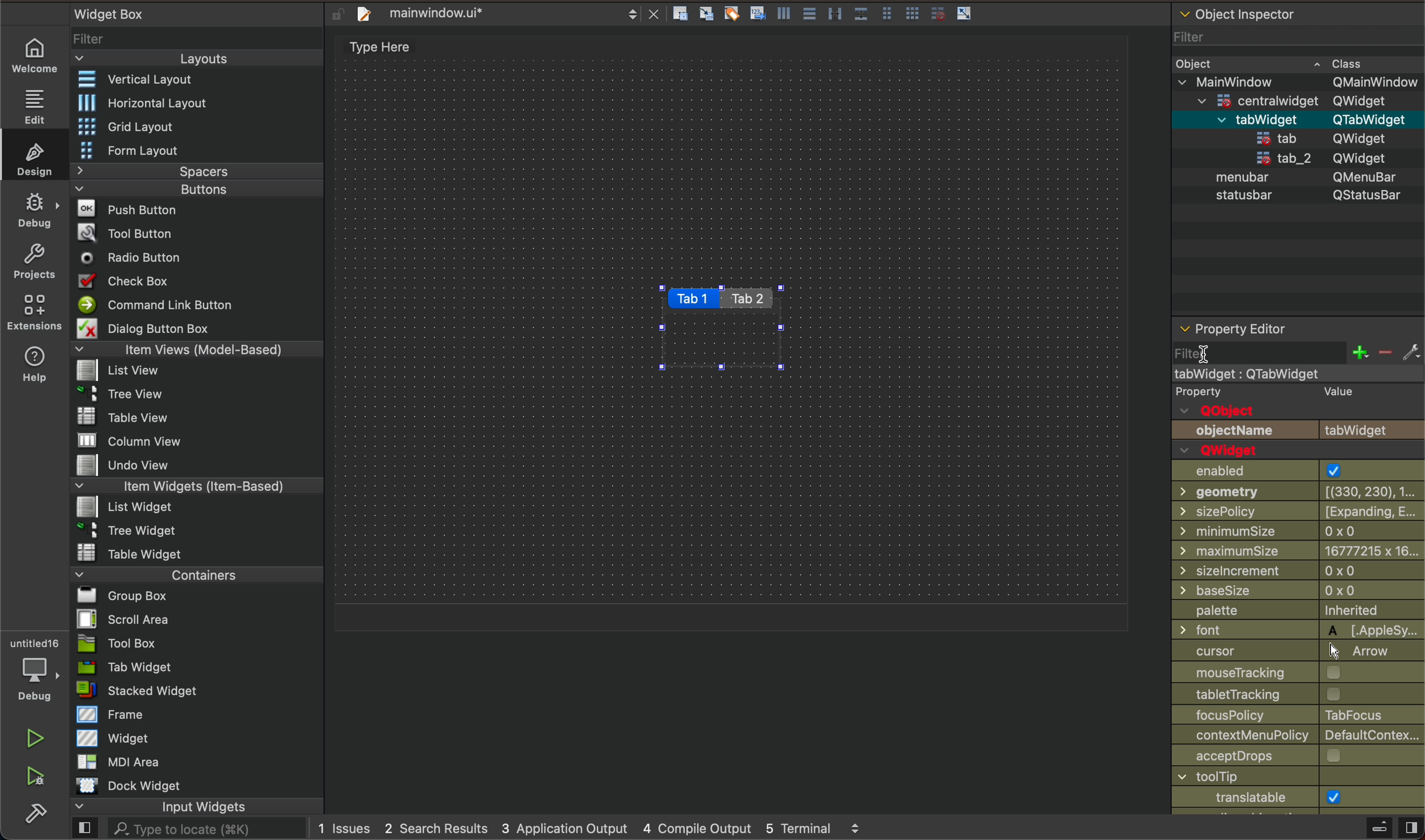 The height and width of the screenshot is (840, 1425). I want to click on edit, so click(36, 103).